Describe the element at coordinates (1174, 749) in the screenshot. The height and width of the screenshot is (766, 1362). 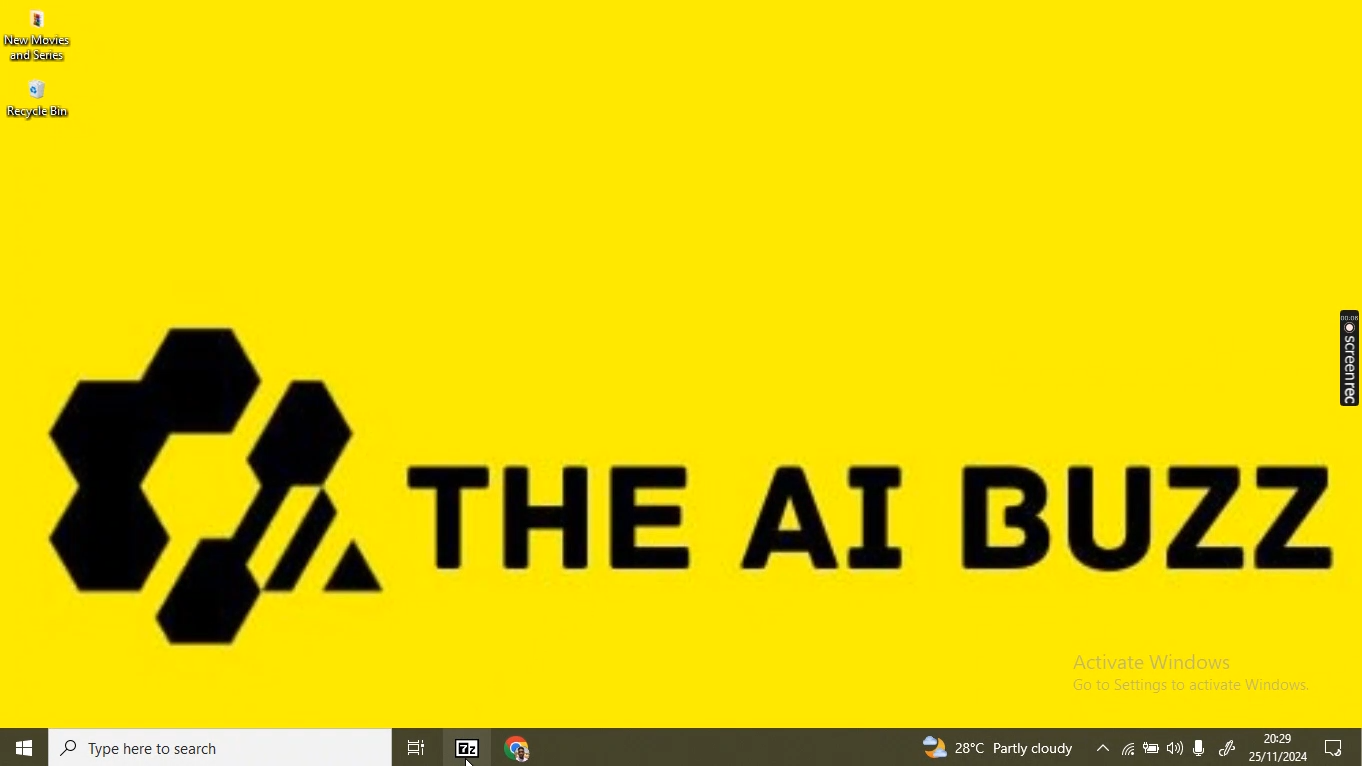
I see `microphone` at that location.